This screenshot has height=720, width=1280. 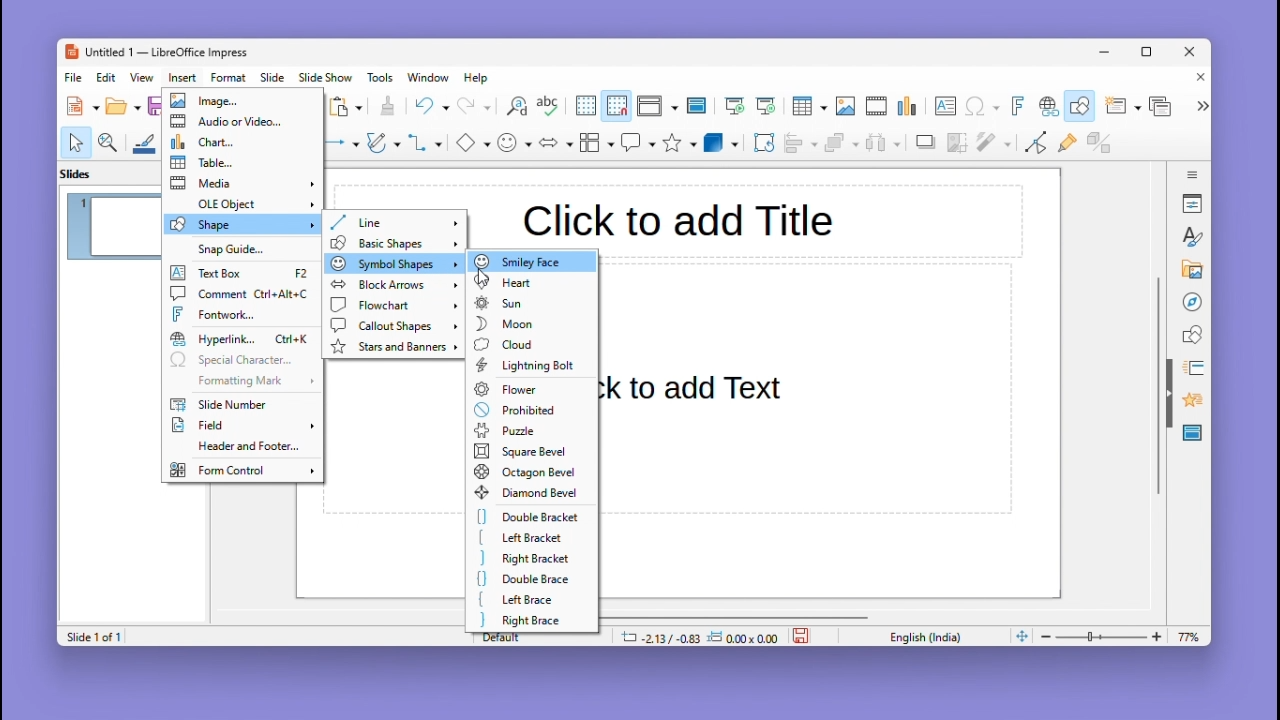 What do you see at coordinates (530, 579) in the screenshot?
I see `Double brace` at bounding box center [530, 579].